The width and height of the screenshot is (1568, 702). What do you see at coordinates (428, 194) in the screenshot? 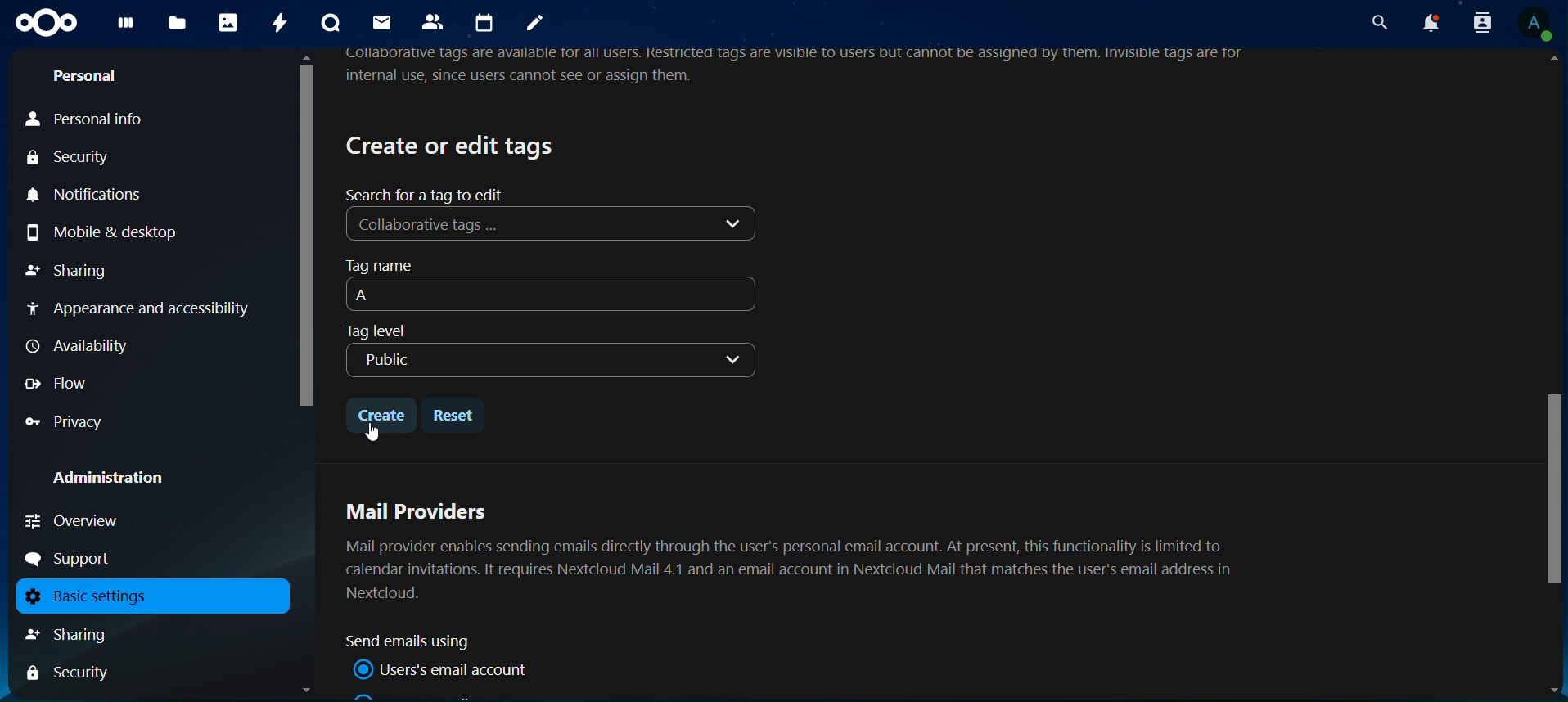
I see `search for a tag to edit` at bounding box center [428, 194].